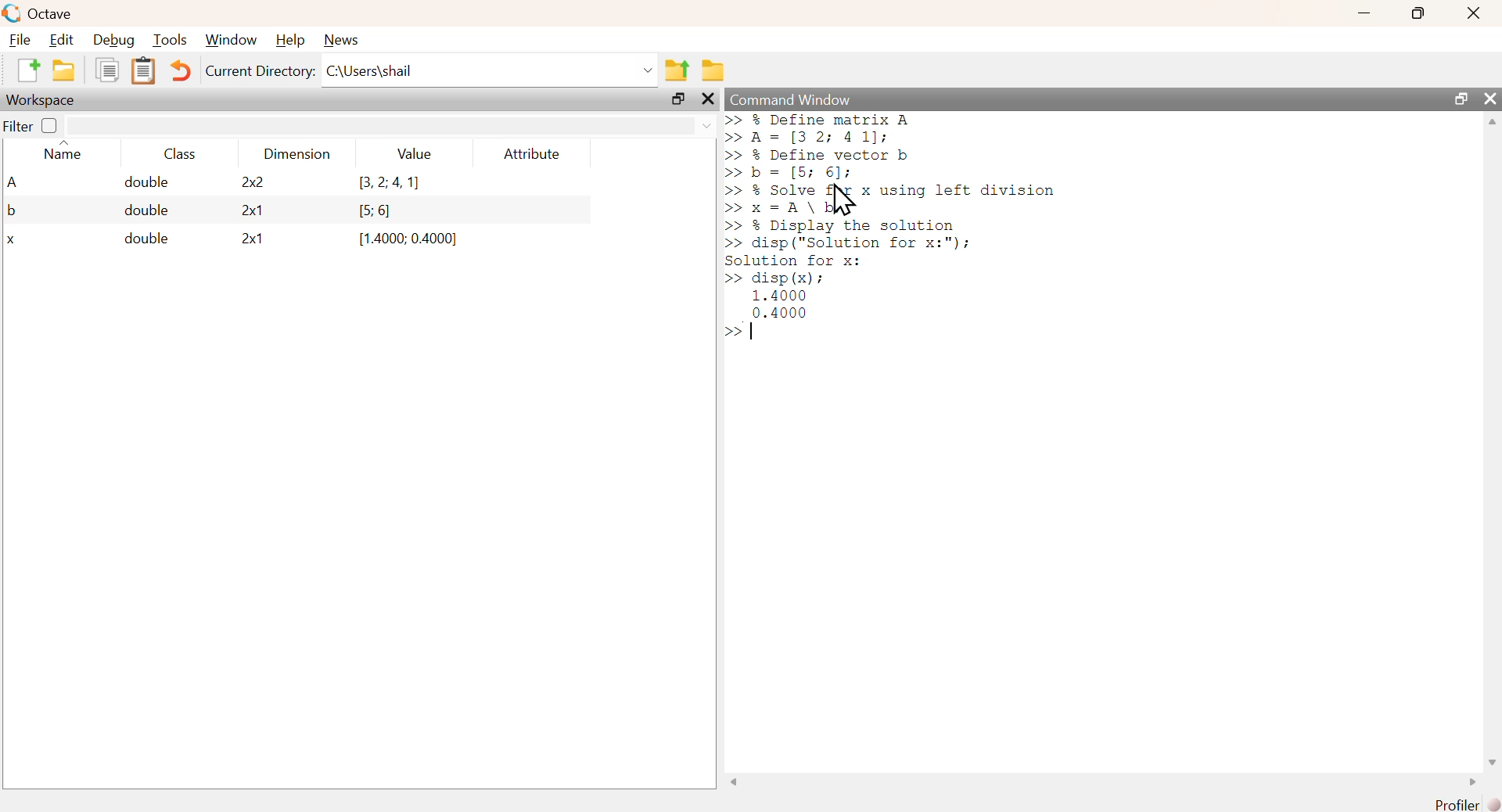  I want to click on news, so click(341, 39).